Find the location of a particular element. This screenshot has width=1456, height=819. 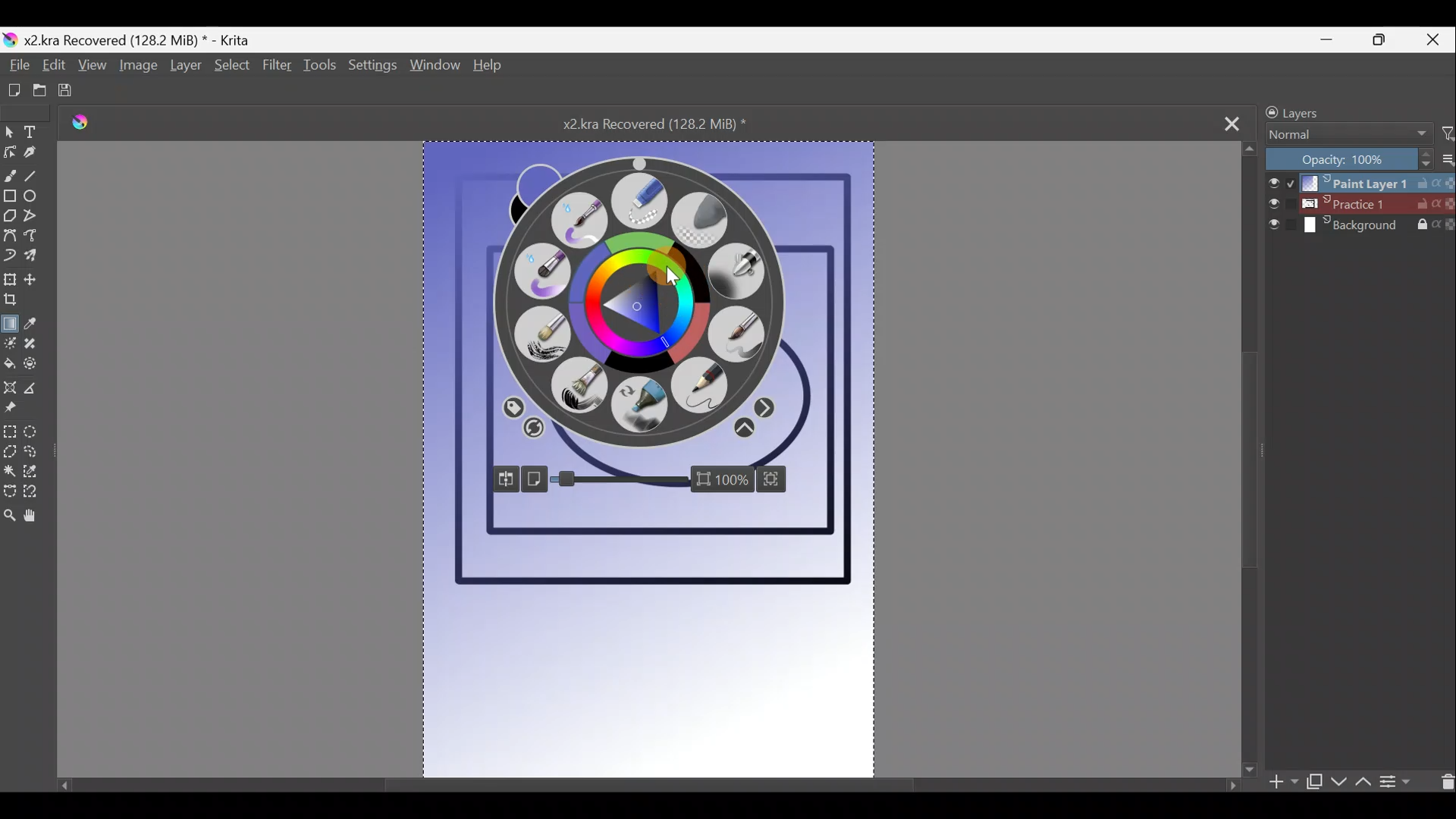

Similar colour selection tool is located at coordinates (34, 475).